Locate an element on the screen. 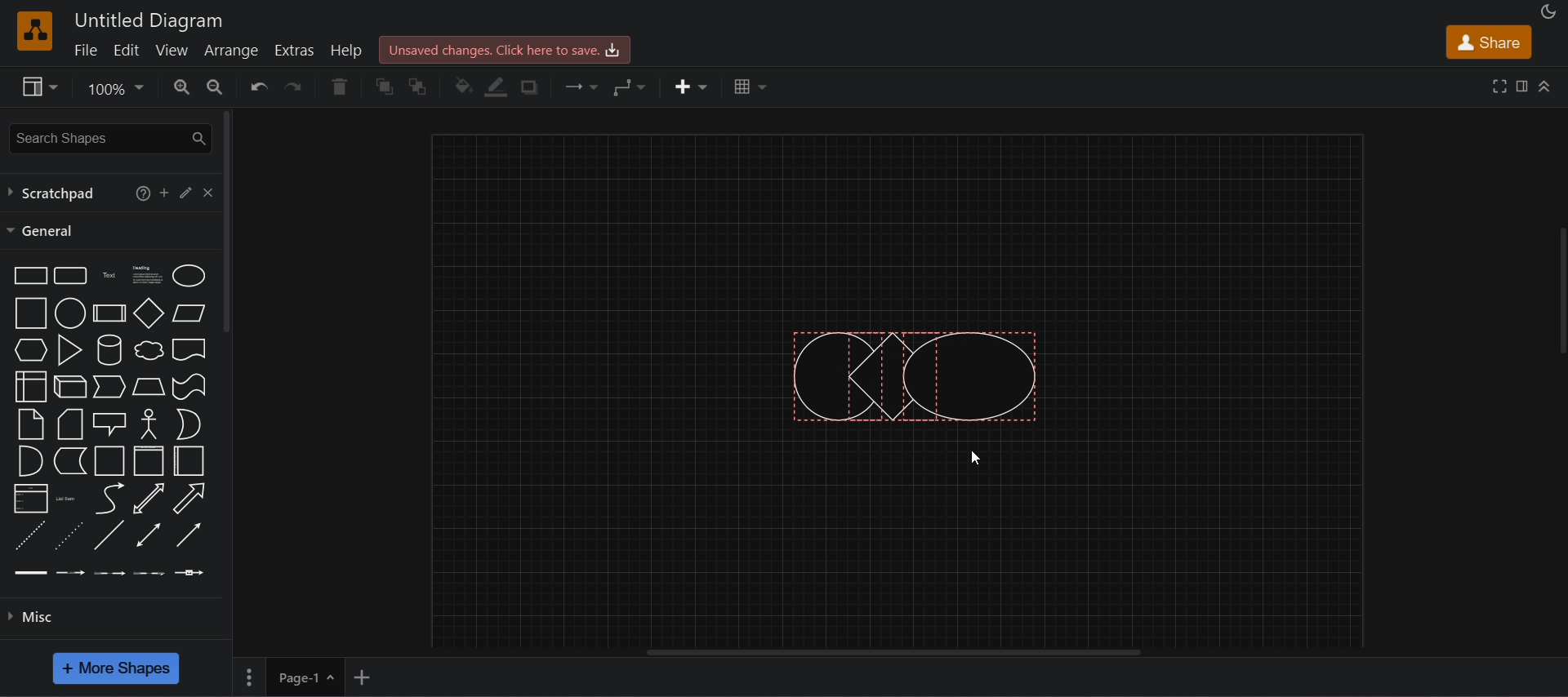 The height and width of the screenshot is (697, 1568). rounded rectangle is located at coordinates (69, 274).